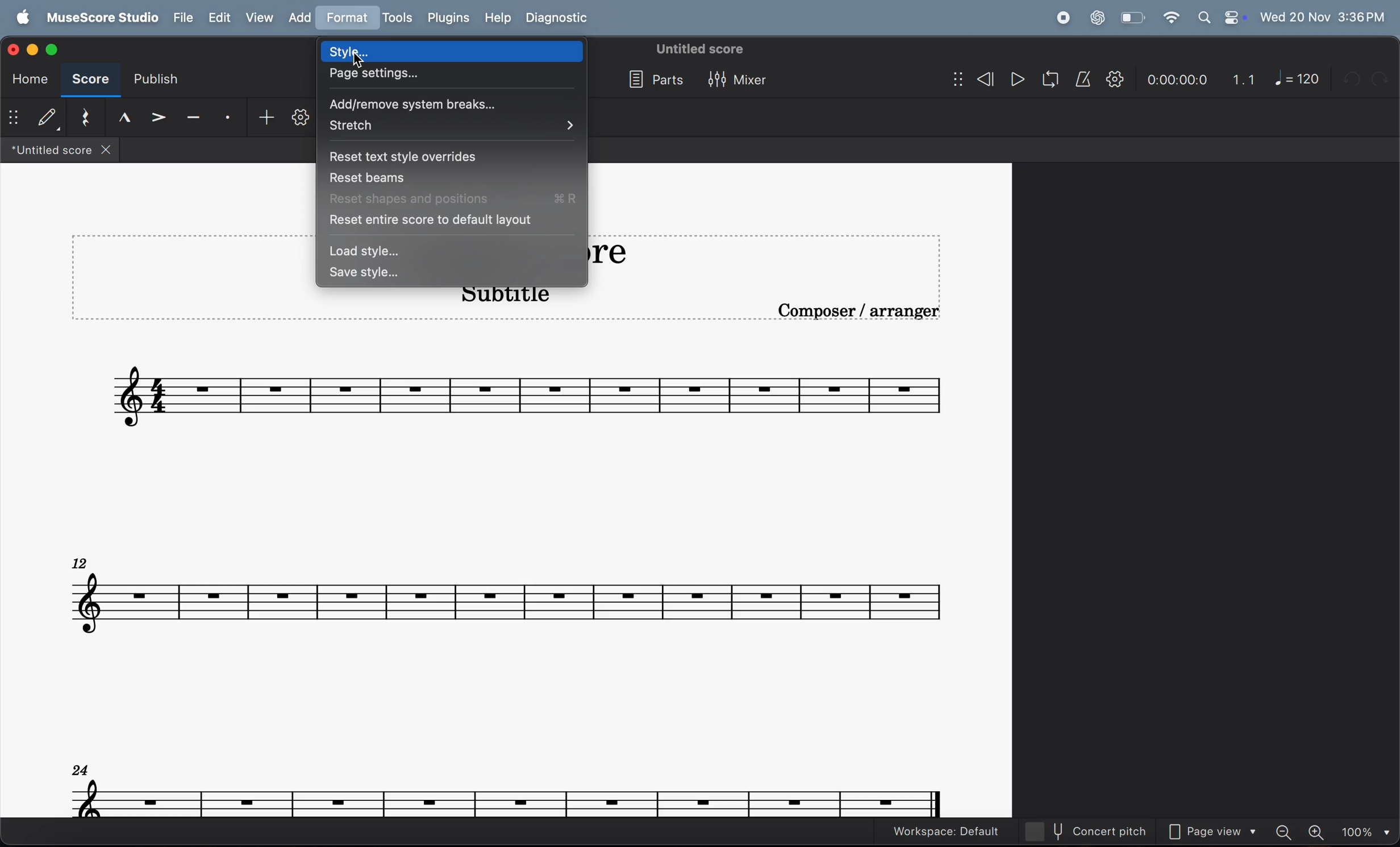 This screenshot has height=847, width=1400. Describe the element at coordinates (1298, 78) in the screenshot. I see `note 120` at that location.